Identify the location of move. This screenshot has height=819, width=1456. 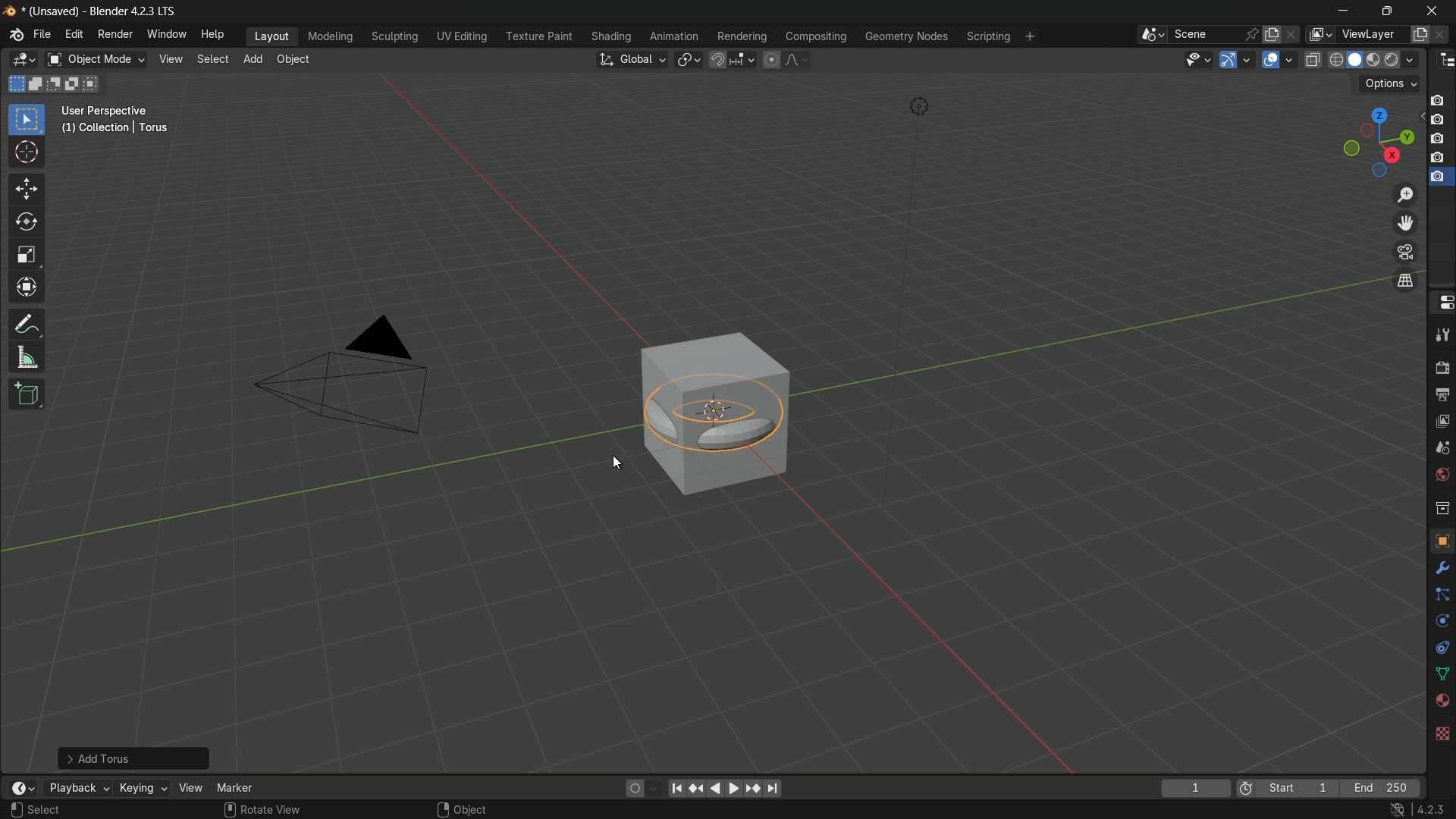
(27, 190).